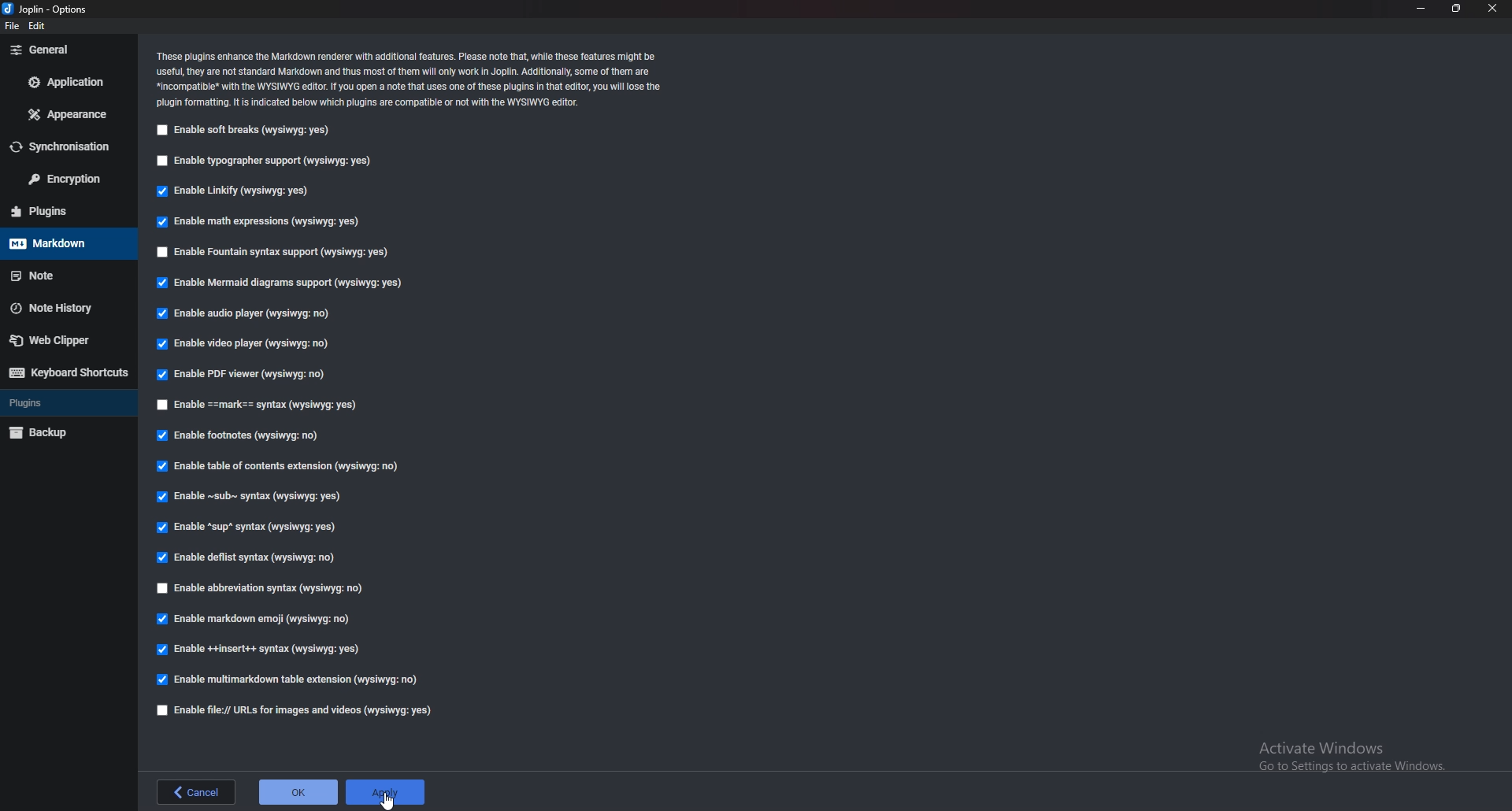 The image size is (1512, 811). I want to click on options, so click(50, 9).